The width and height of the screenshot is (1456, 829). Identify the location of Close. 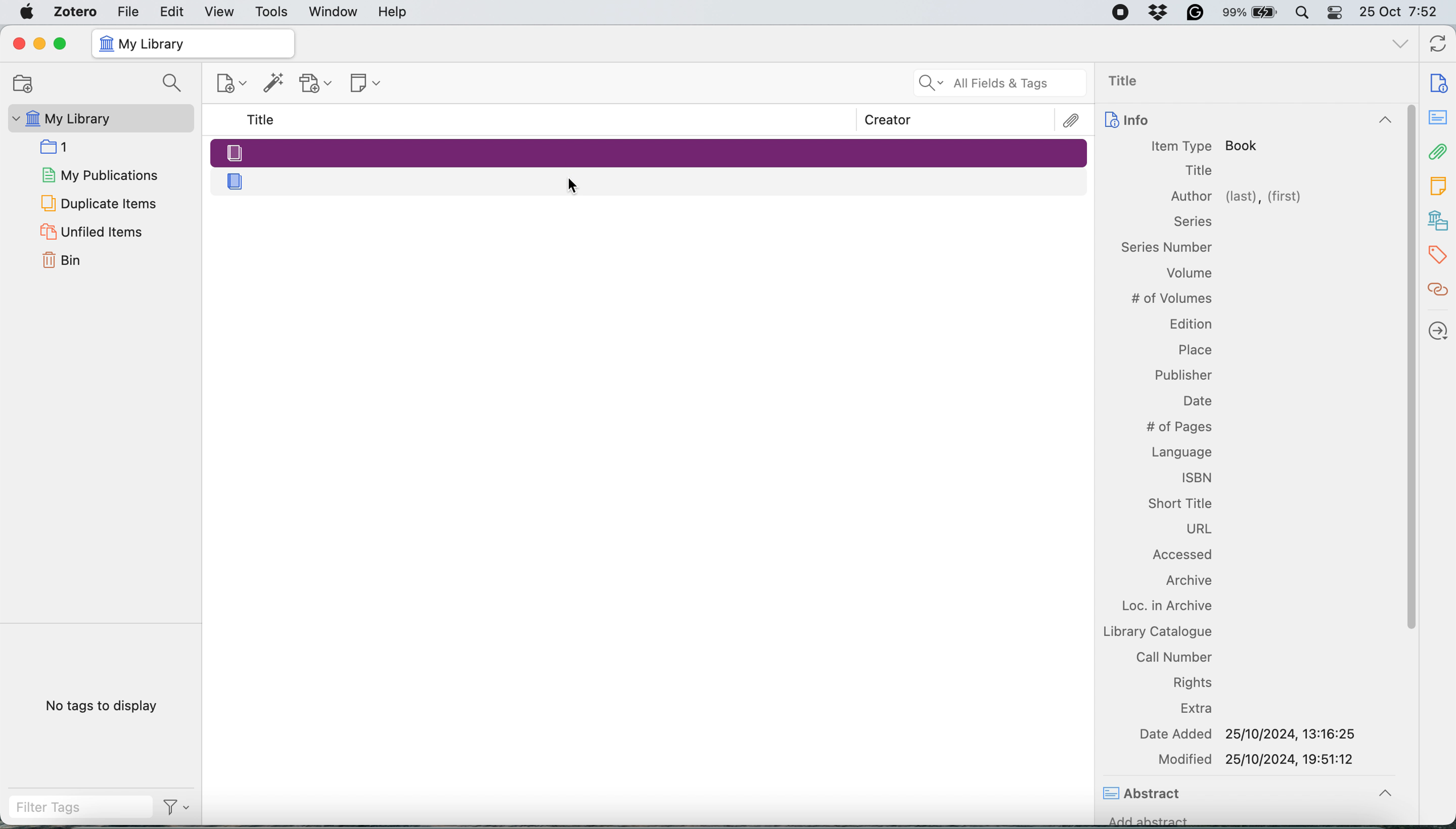
(18, 43).